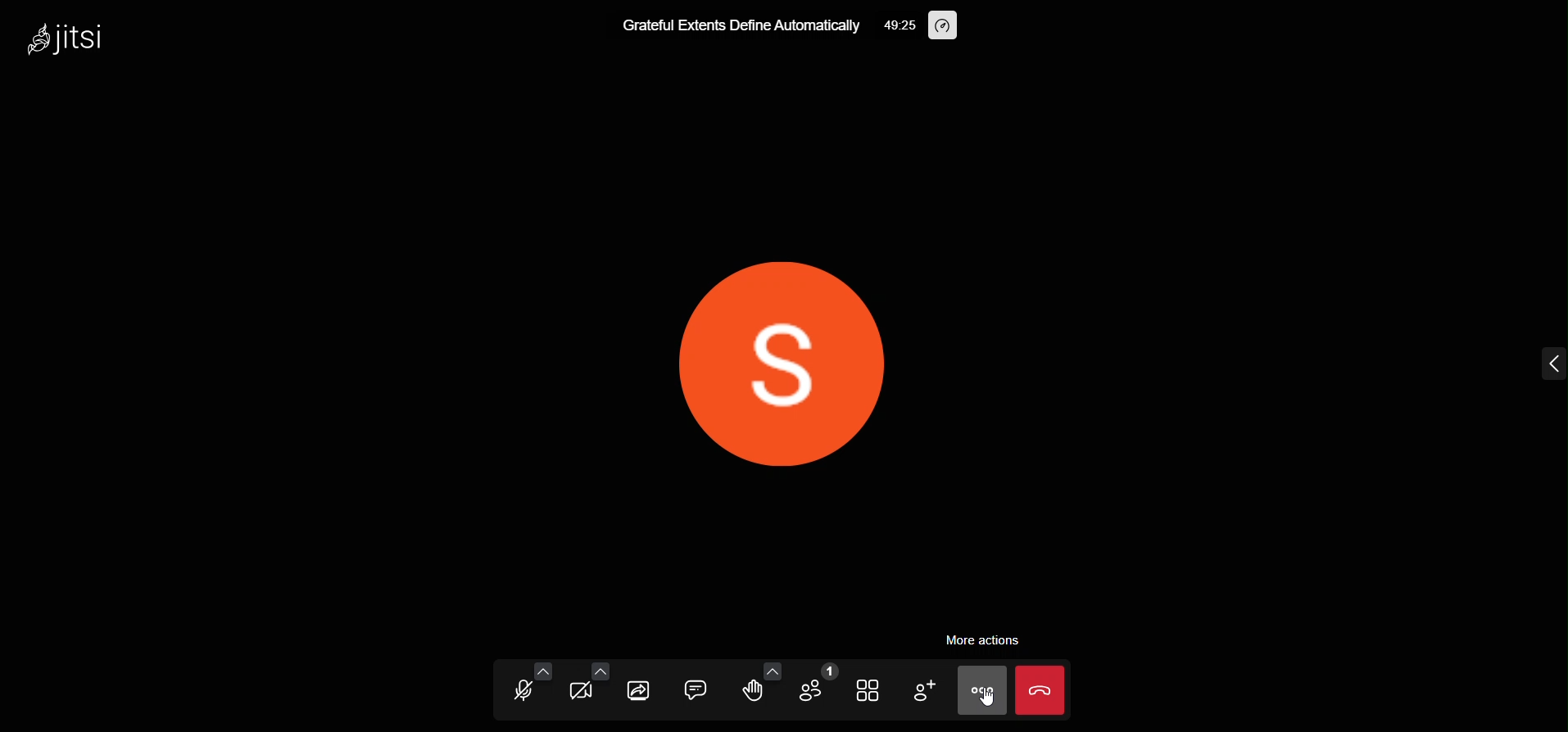 Image resolution: width=1568 pixels, height=732 pixels. I want to click on performance setting, so click(945, 27).